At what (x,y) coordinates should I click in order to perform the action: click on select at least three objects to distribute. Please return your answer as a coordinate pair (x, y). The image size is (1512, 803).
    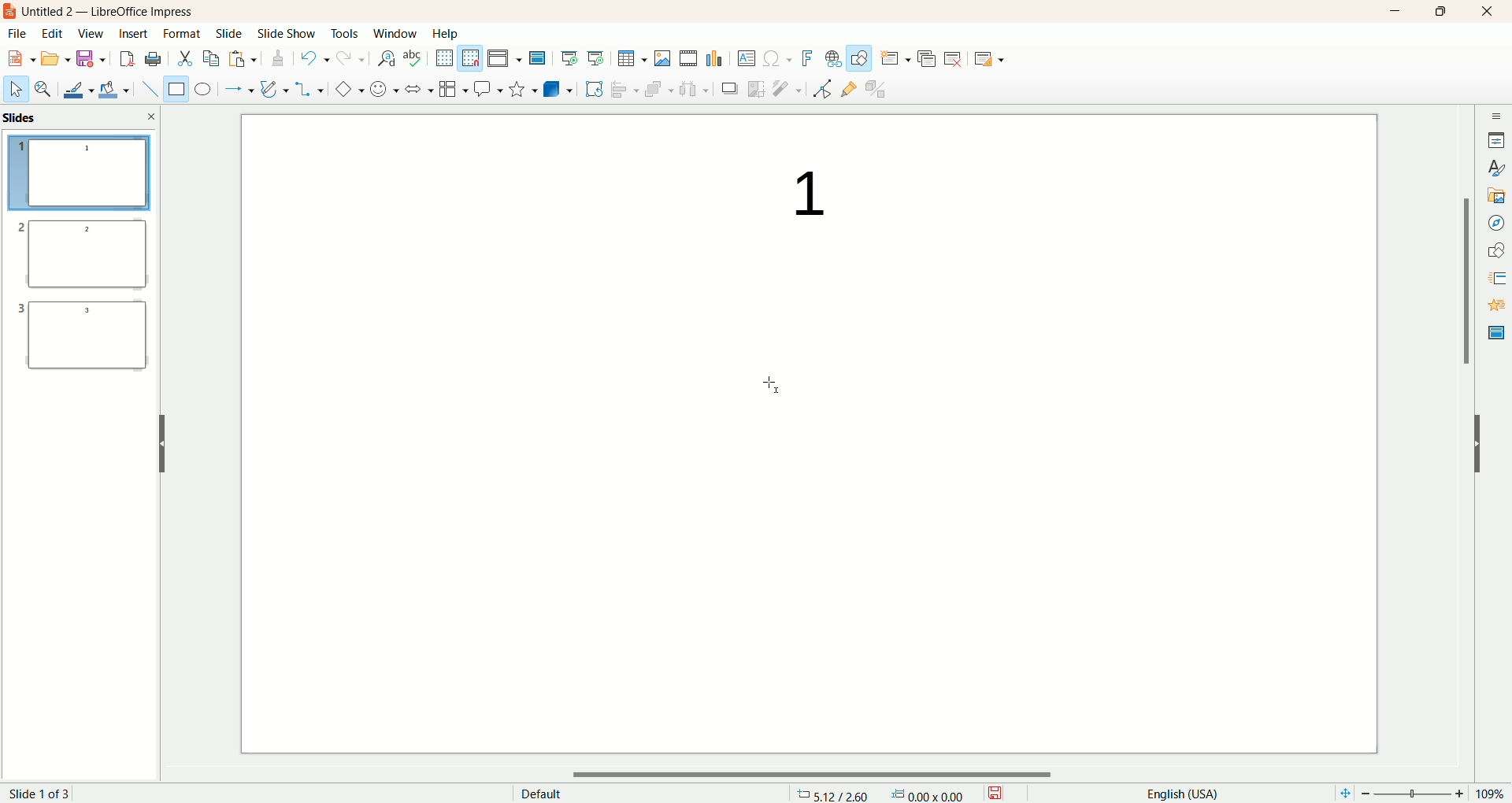
    Looking at the image, I should click on (694, 87).